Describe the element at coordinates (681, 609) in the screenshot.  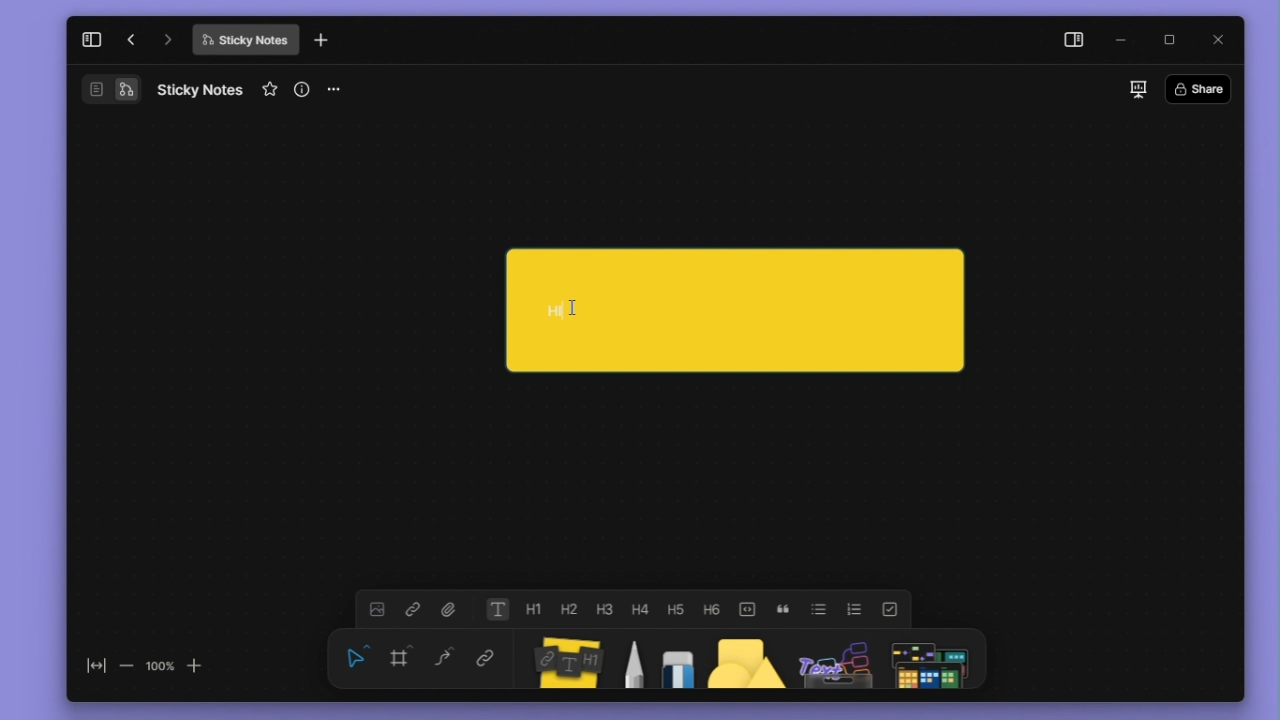
I see `heading` at that location.